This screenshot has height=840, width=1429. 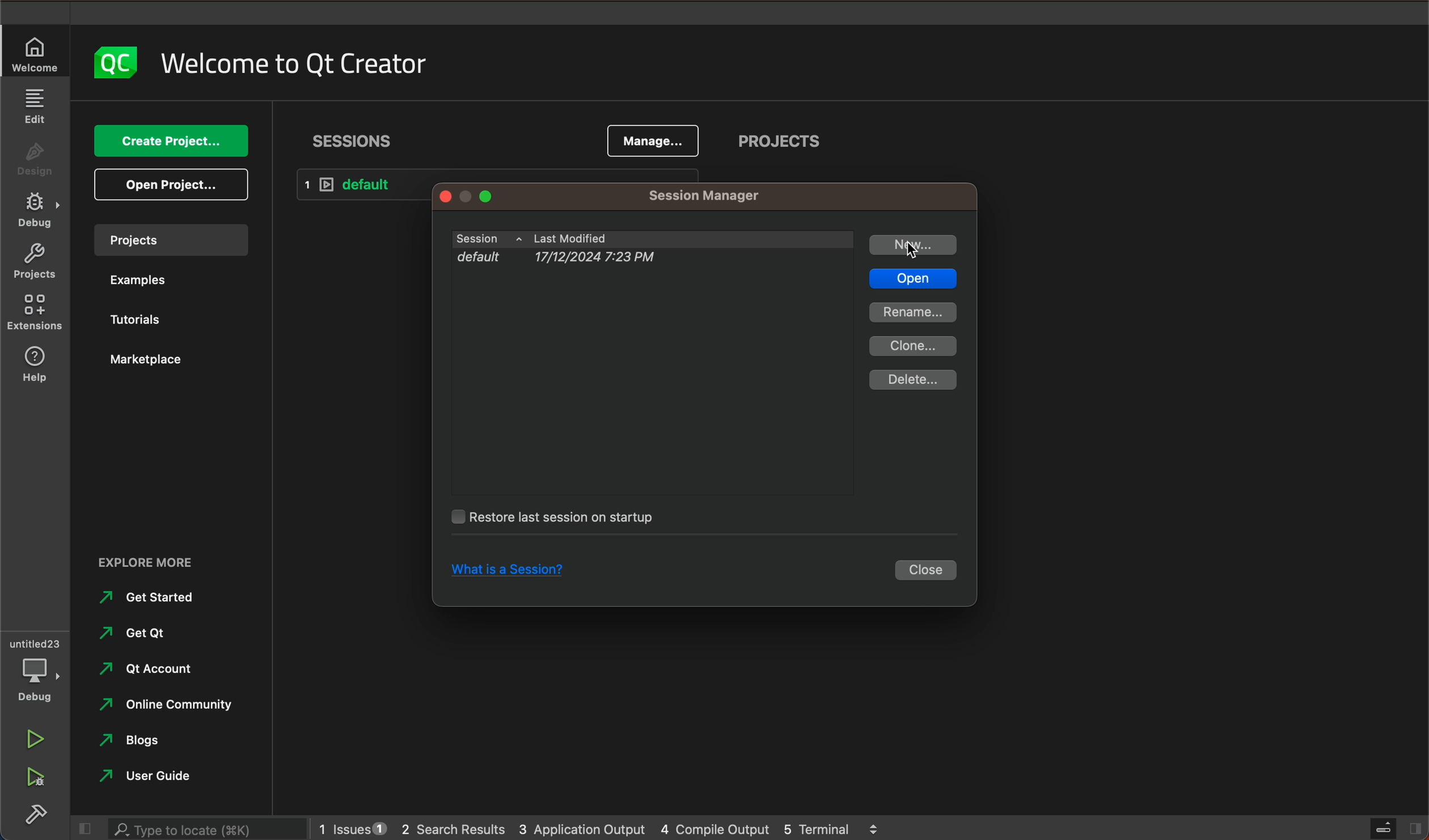 What do you see at coordinates (700, 197) in the screenshot?
I see `session manager` at bounding box center [700, 197].